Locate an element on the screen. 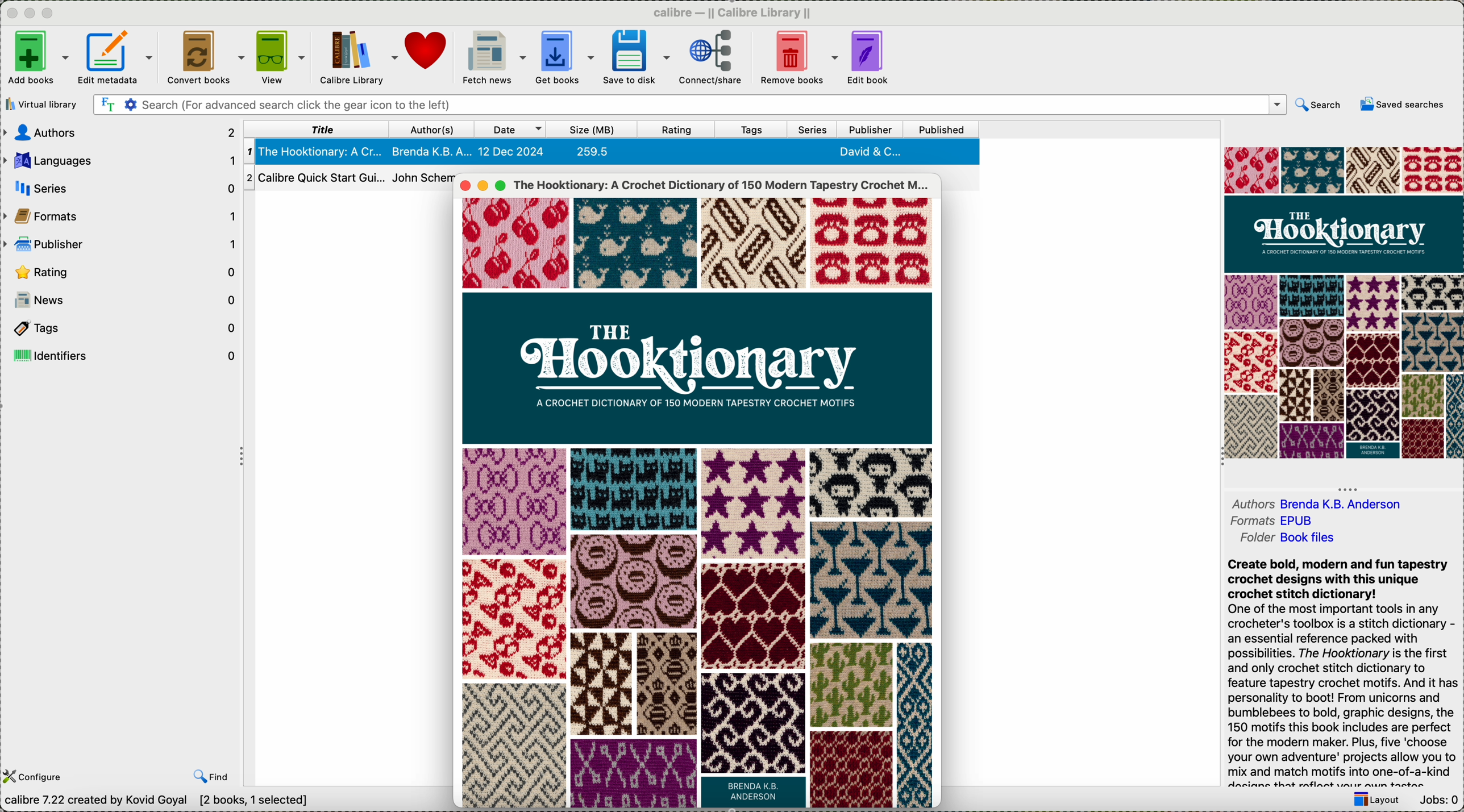 The height and width of the screenshot is (812, 1464). configure is located at coordinates (48, 768).